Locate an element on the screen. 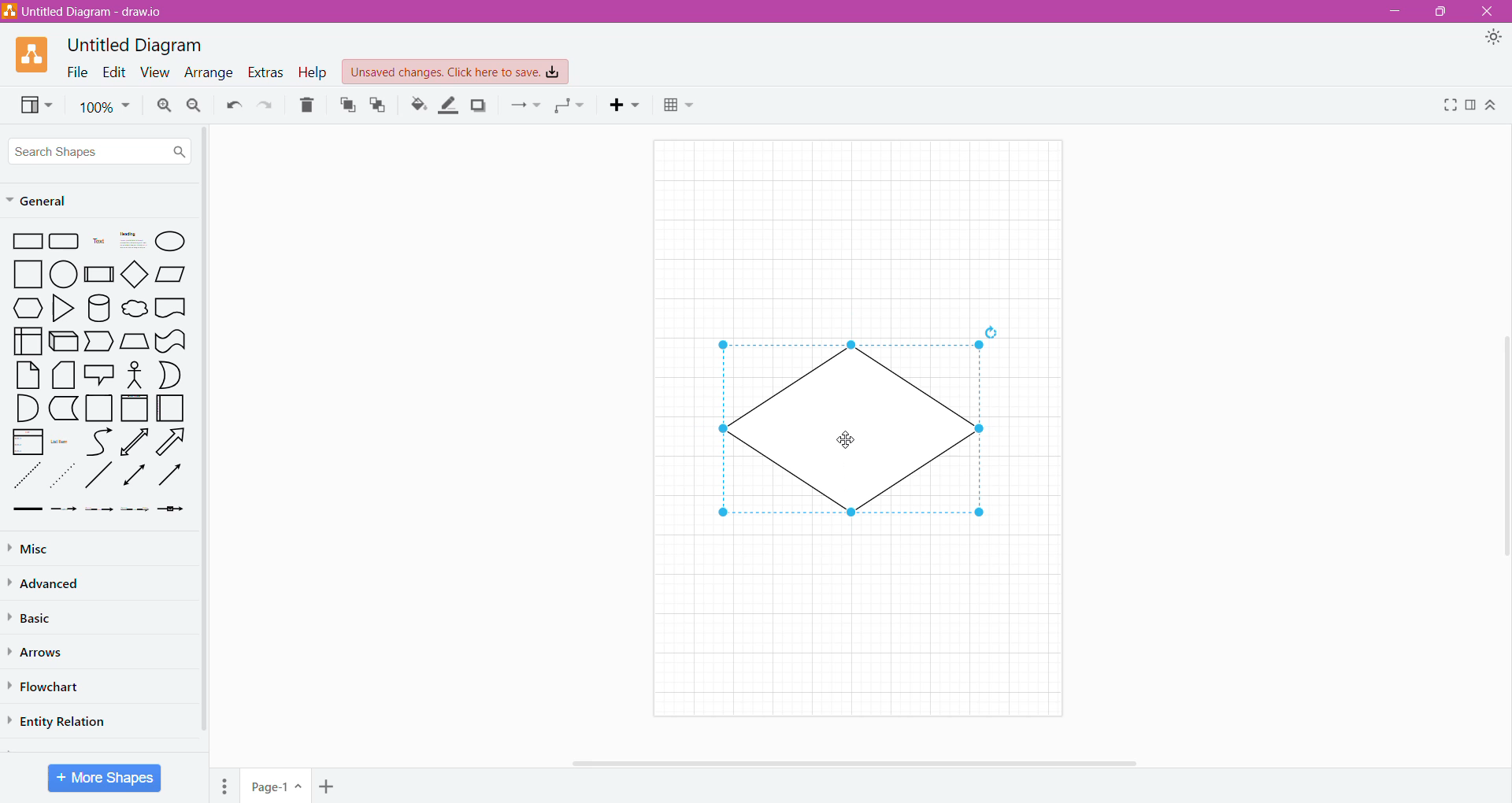 The width and height of the screenshot is (1512, 803). Misc is located at coordinates (31, 549).